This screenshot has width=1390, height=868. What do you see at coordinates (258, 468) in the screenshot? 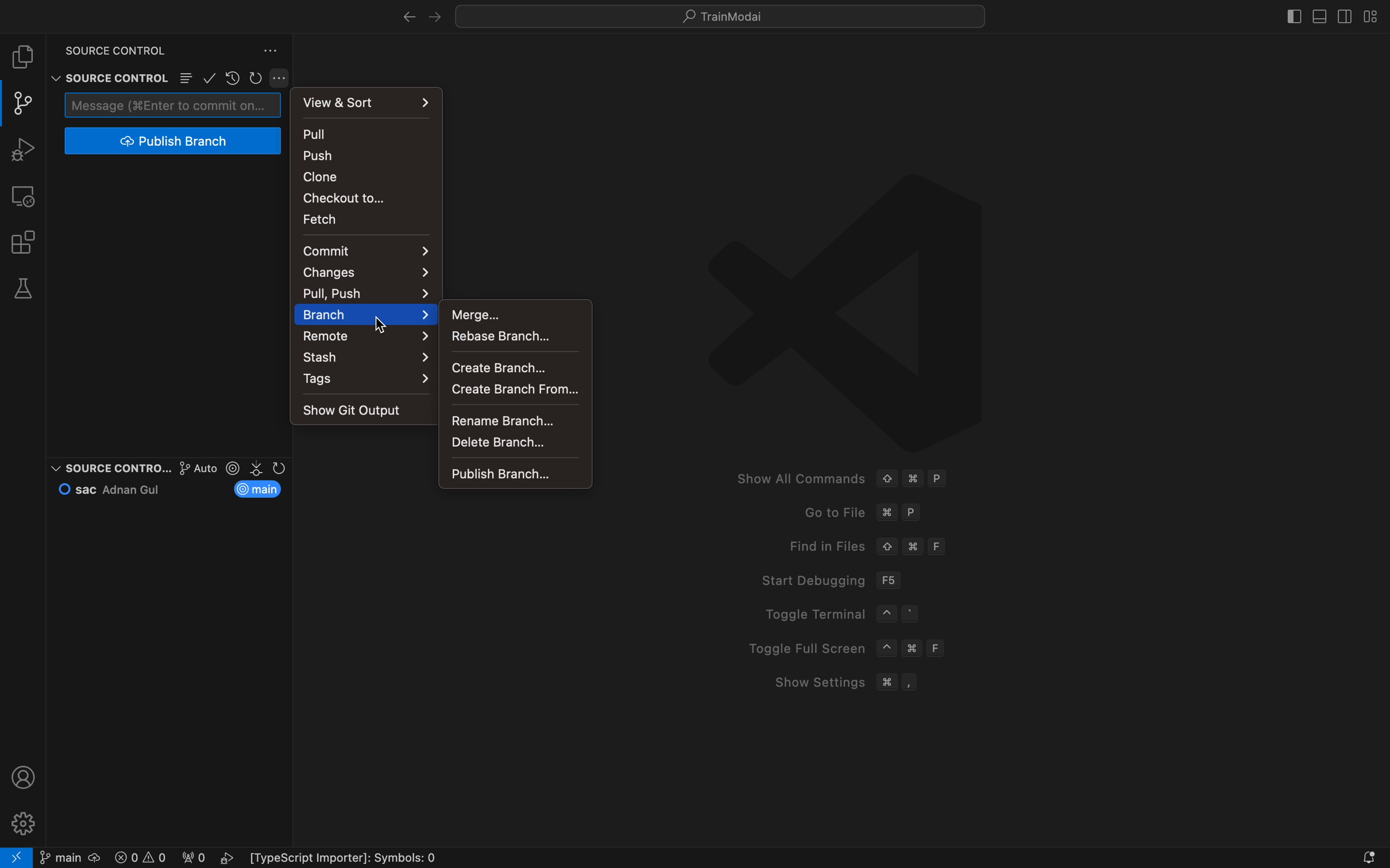
I see `version control section` at bounding box center [258, 468].